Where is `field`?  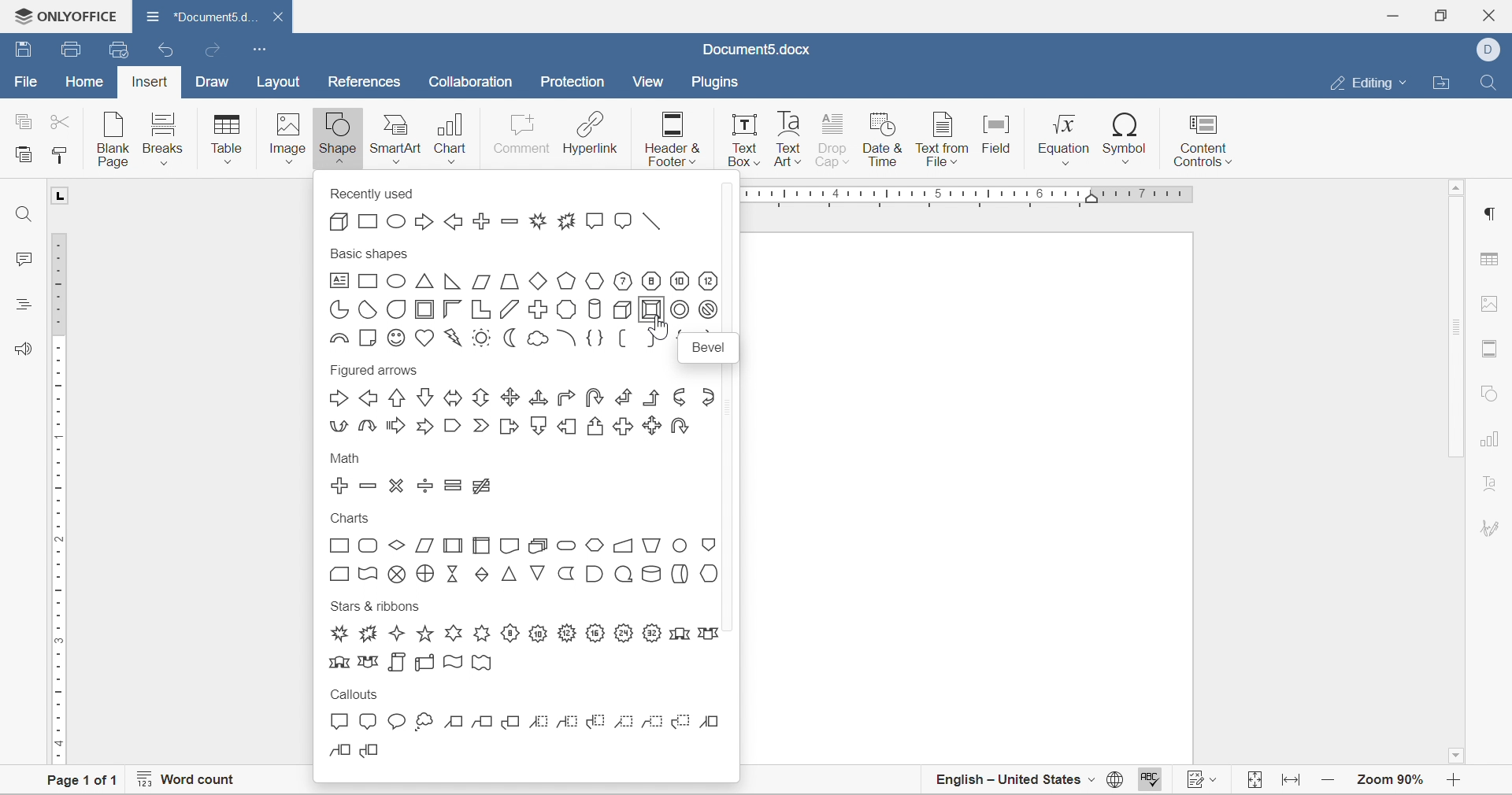
field is located at coordinates (1001, 134).